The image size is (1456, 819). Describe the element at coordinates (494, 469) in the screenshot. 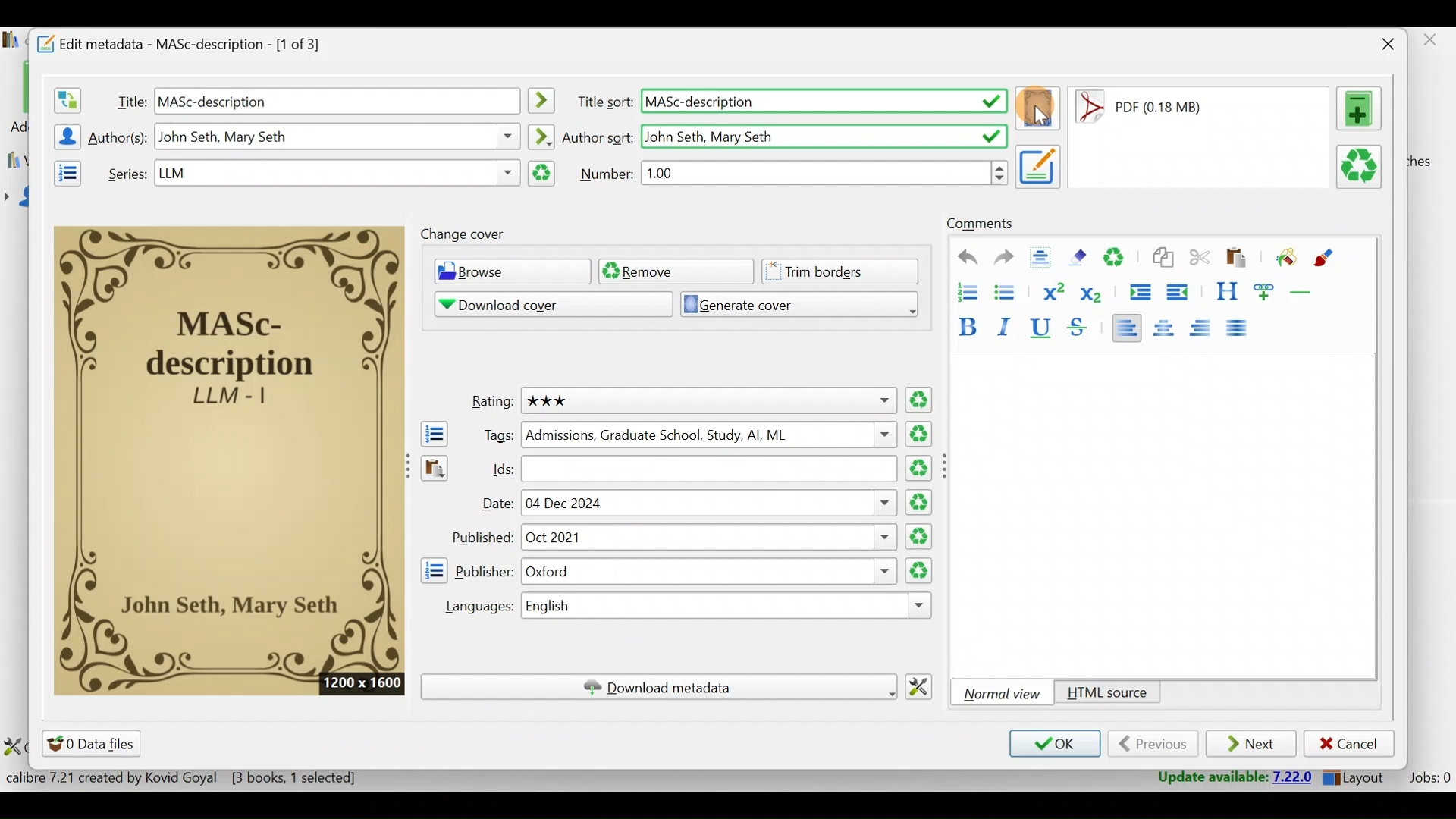

I see `Ids` at that location.